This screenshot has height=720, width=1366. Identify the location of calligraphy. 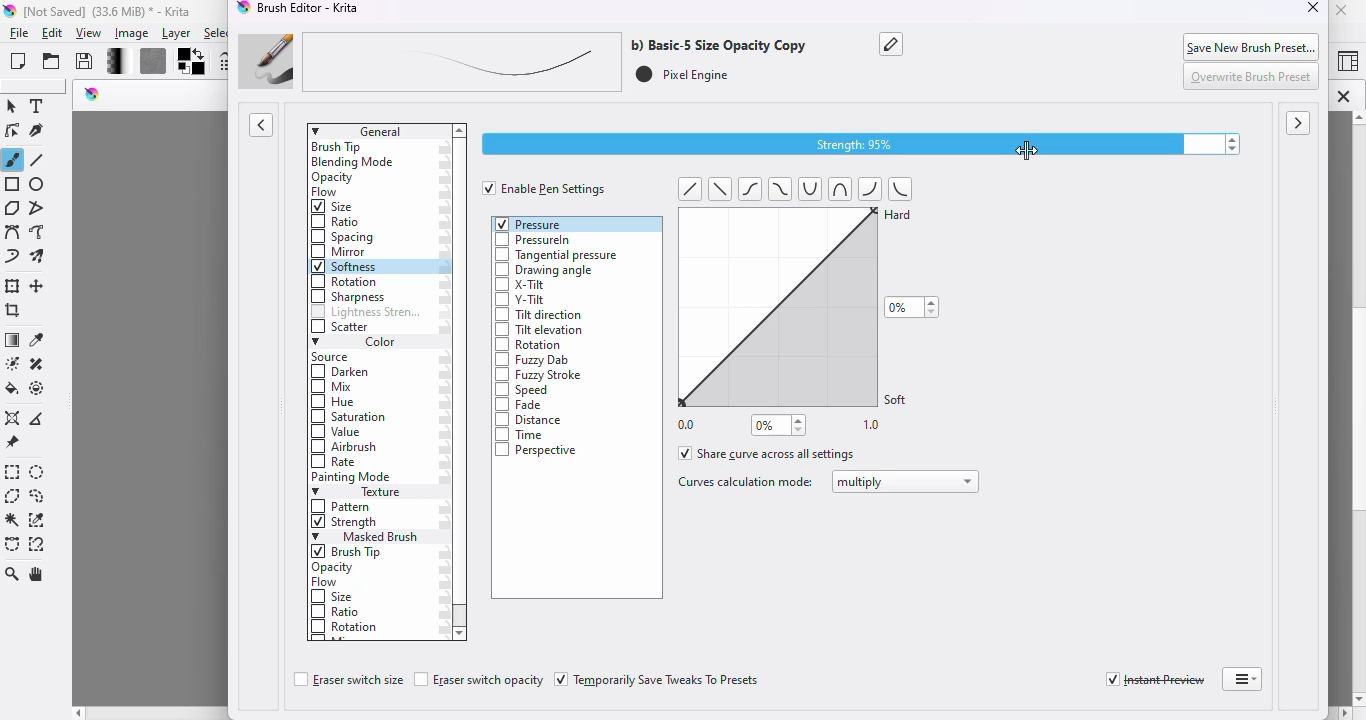
(39, 132).